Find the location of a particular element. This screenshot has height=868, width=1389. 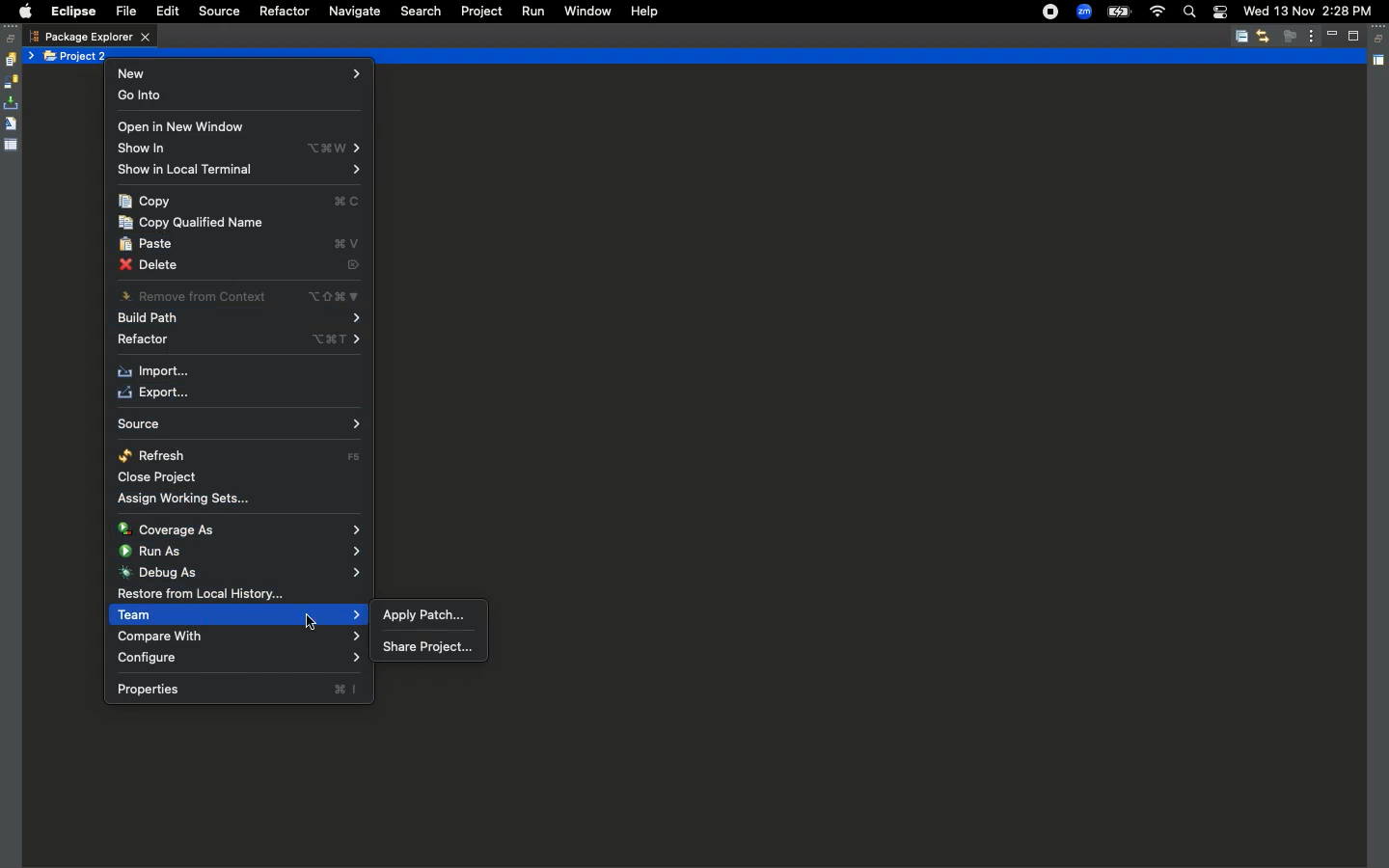

Restore is located at coordinates (1380, 40).